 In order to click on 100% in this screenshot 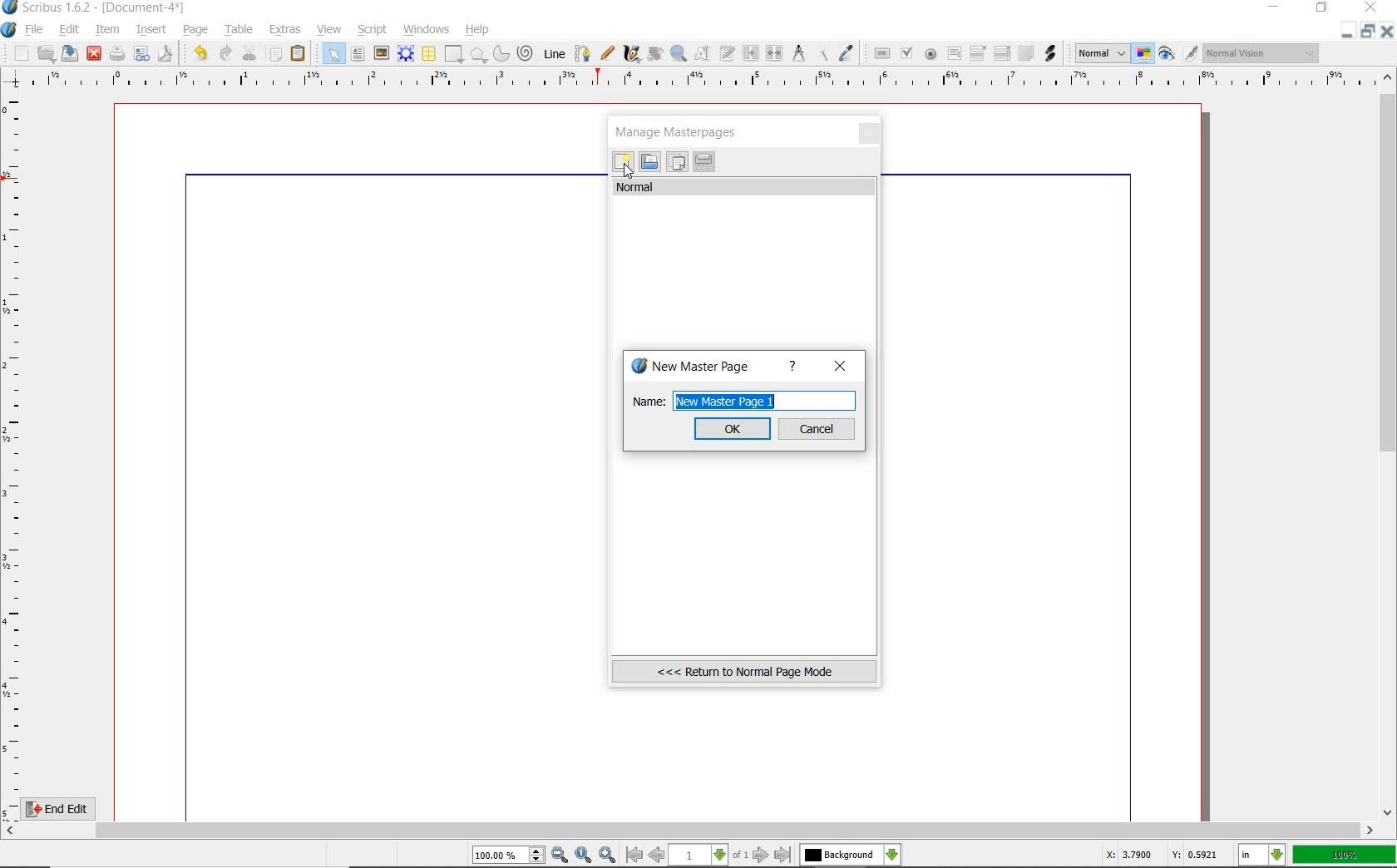, I will do `click(1345, 855)`.